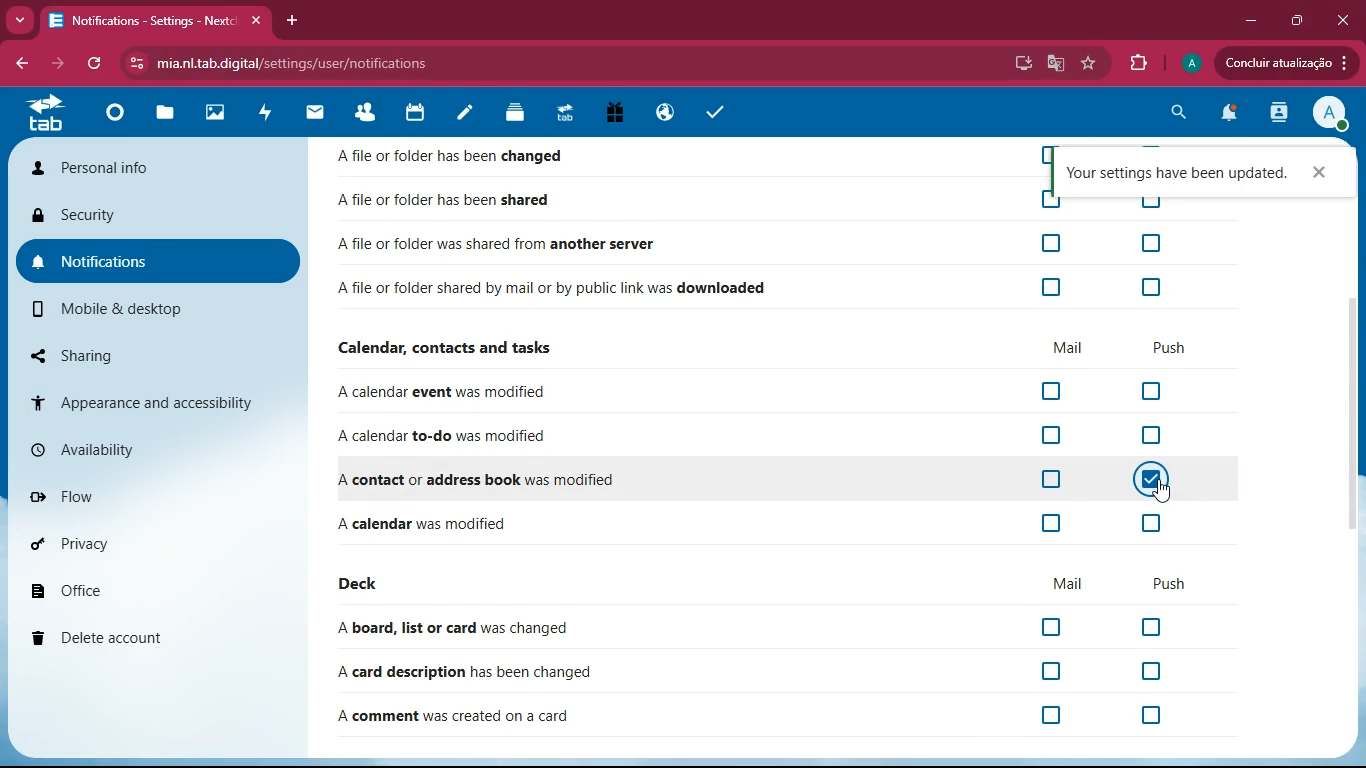  I want to click on off, so click(1153, 671).